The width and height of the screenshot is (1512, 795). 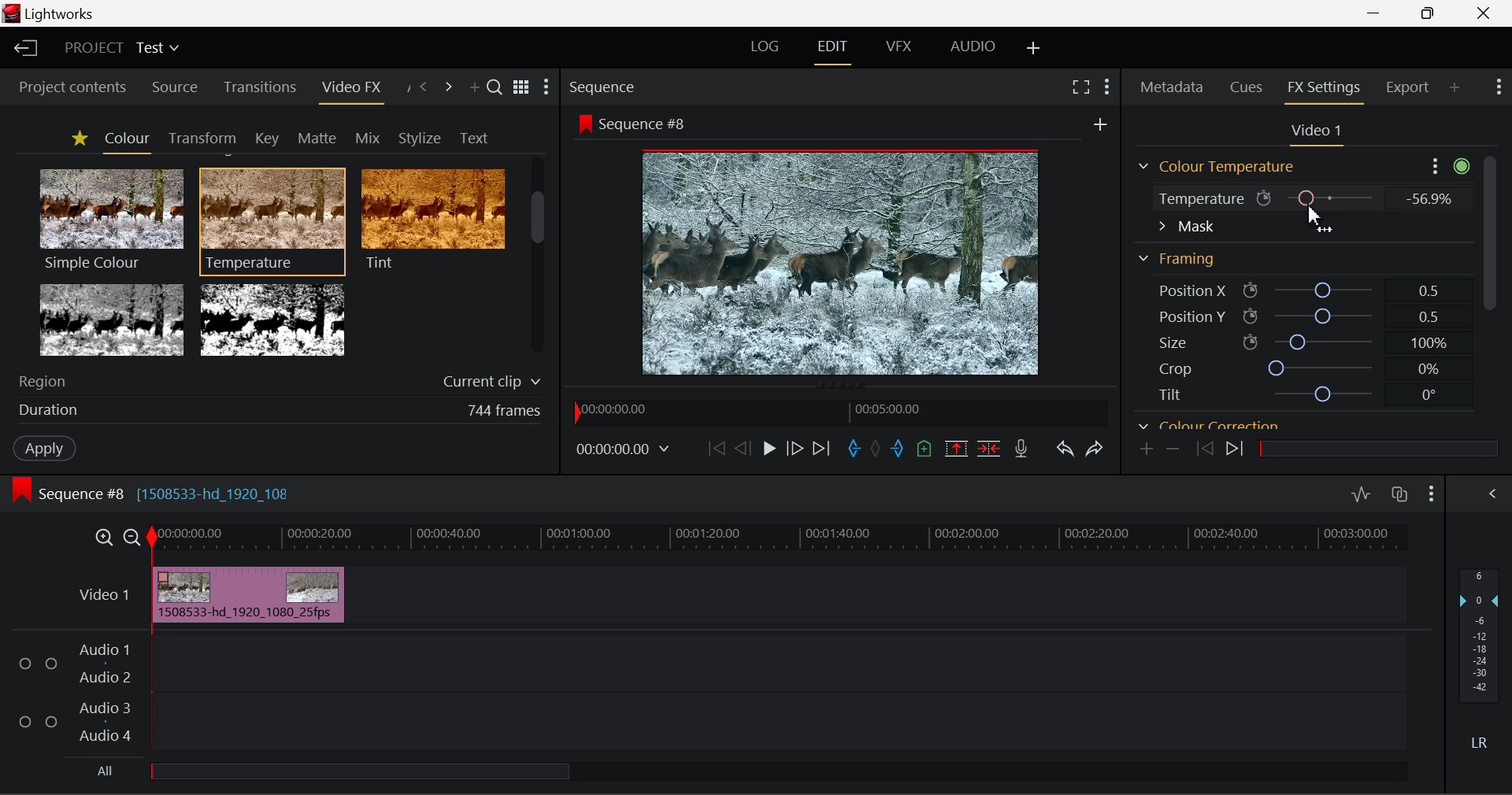 What do you see at coordinates (1247, 86) in the screenshot?
I see `Cues` at bounding box center [1247, 86].